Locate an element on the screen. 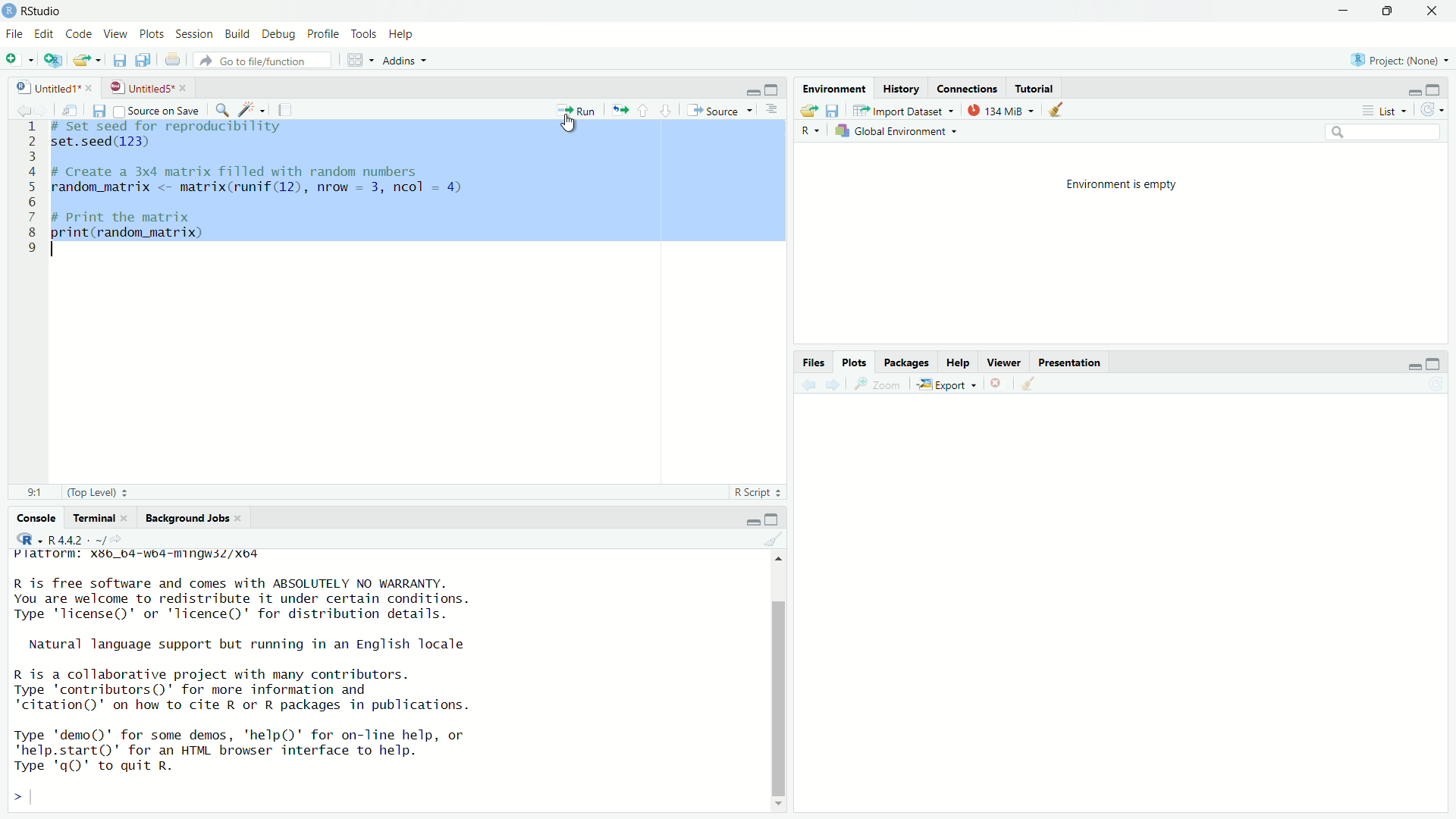 This screenshot has width=1456, height=819. save is located at coordinates (833, 112).